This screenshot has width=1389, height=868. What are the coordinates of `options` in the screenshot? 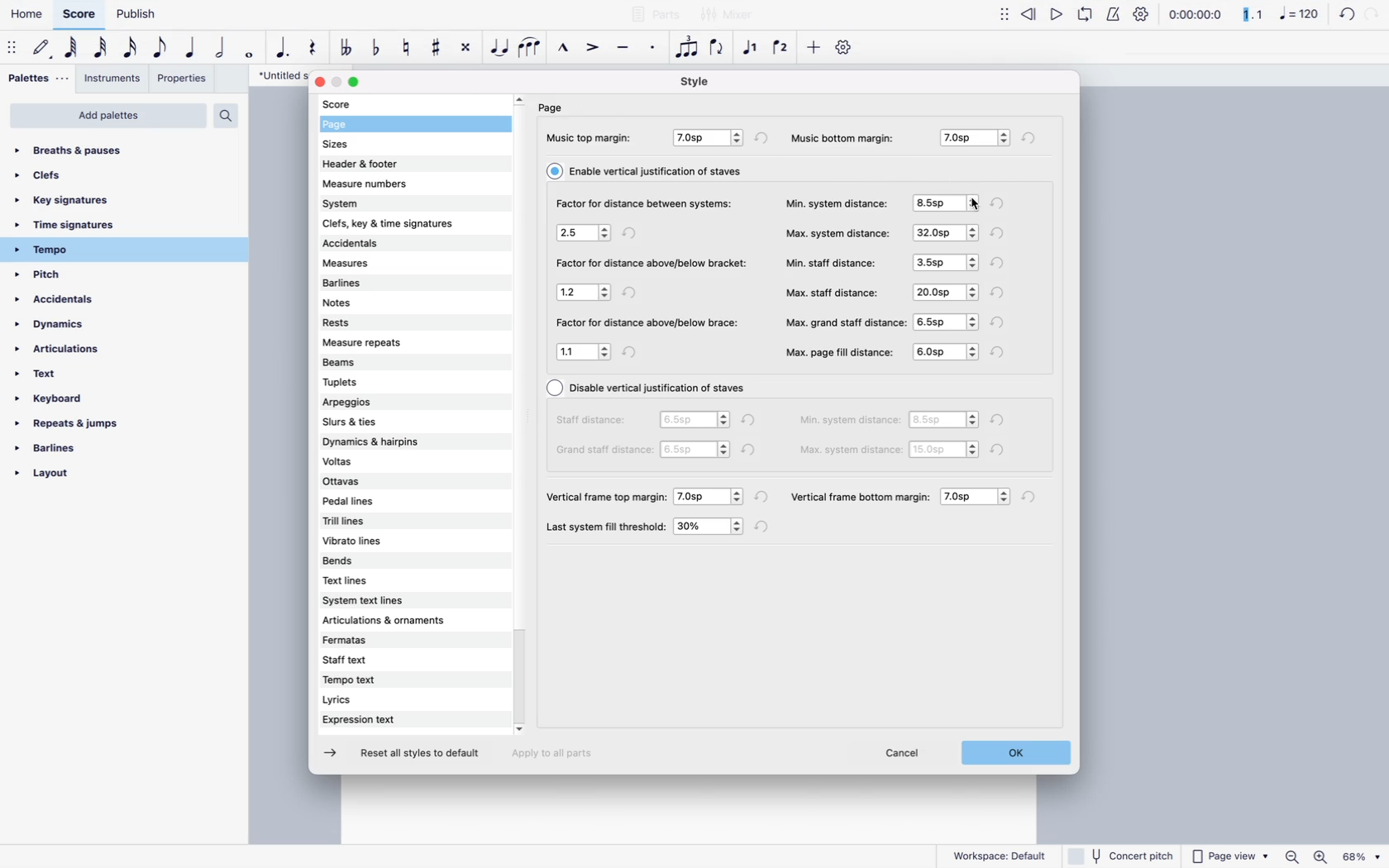 It's located at (971, 138).